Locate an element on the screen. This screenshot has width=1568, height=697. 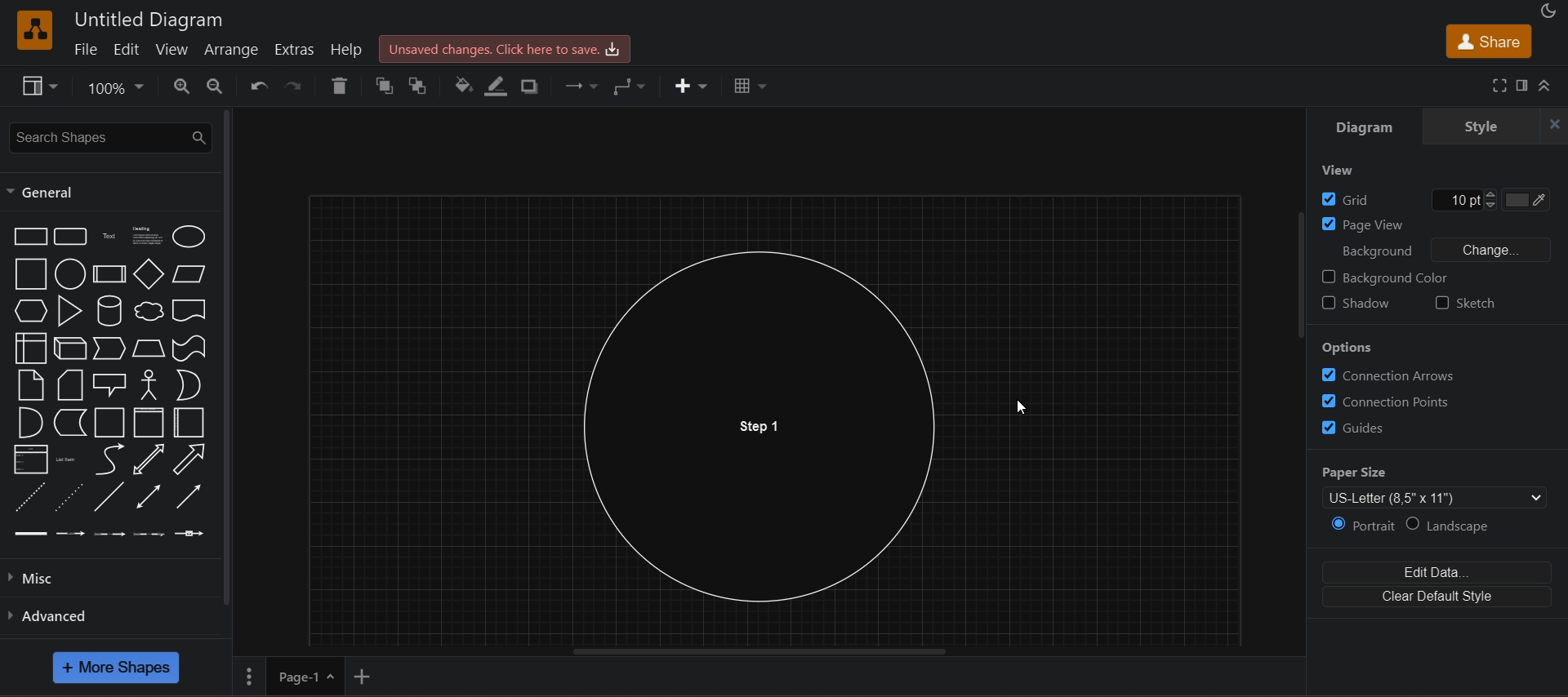
format is located at coordinates (1522, 87).